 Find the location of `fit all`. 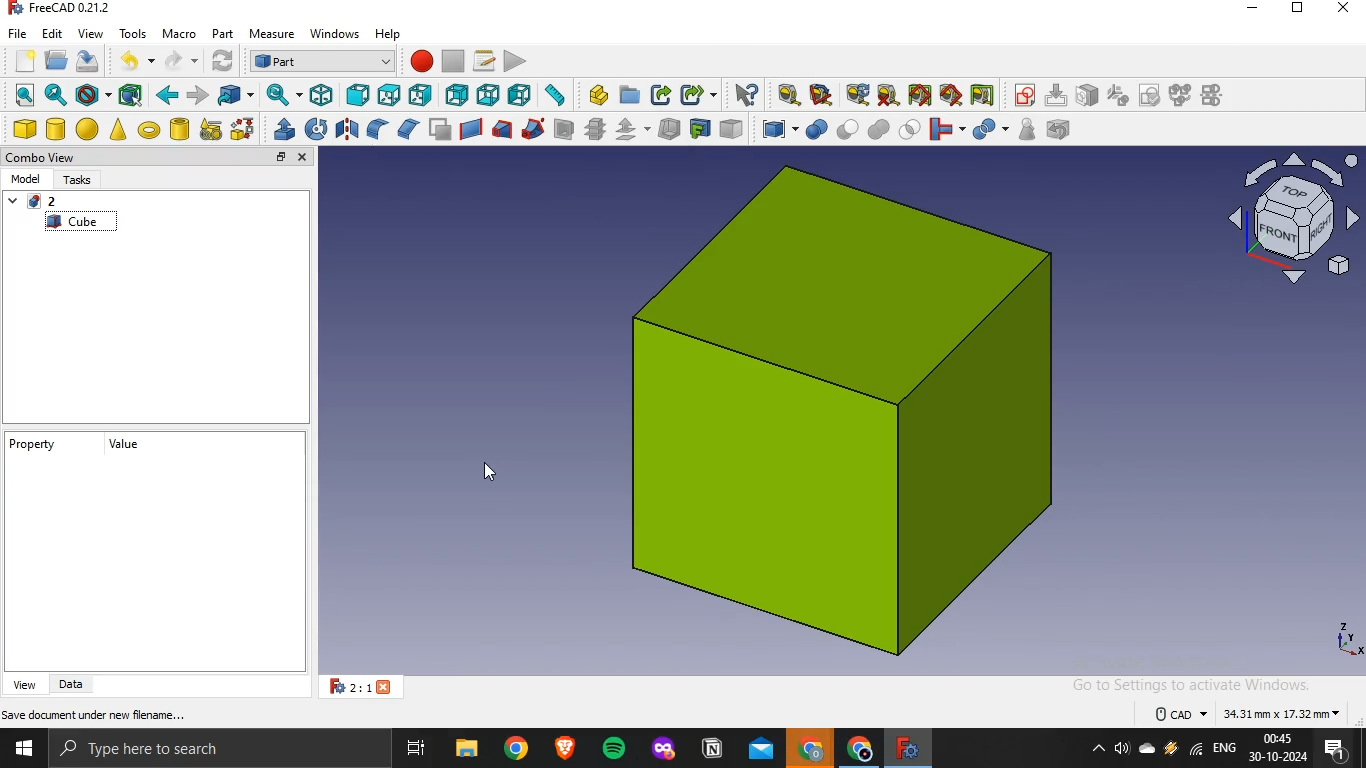

fit all is located at coordinates (25, 94).